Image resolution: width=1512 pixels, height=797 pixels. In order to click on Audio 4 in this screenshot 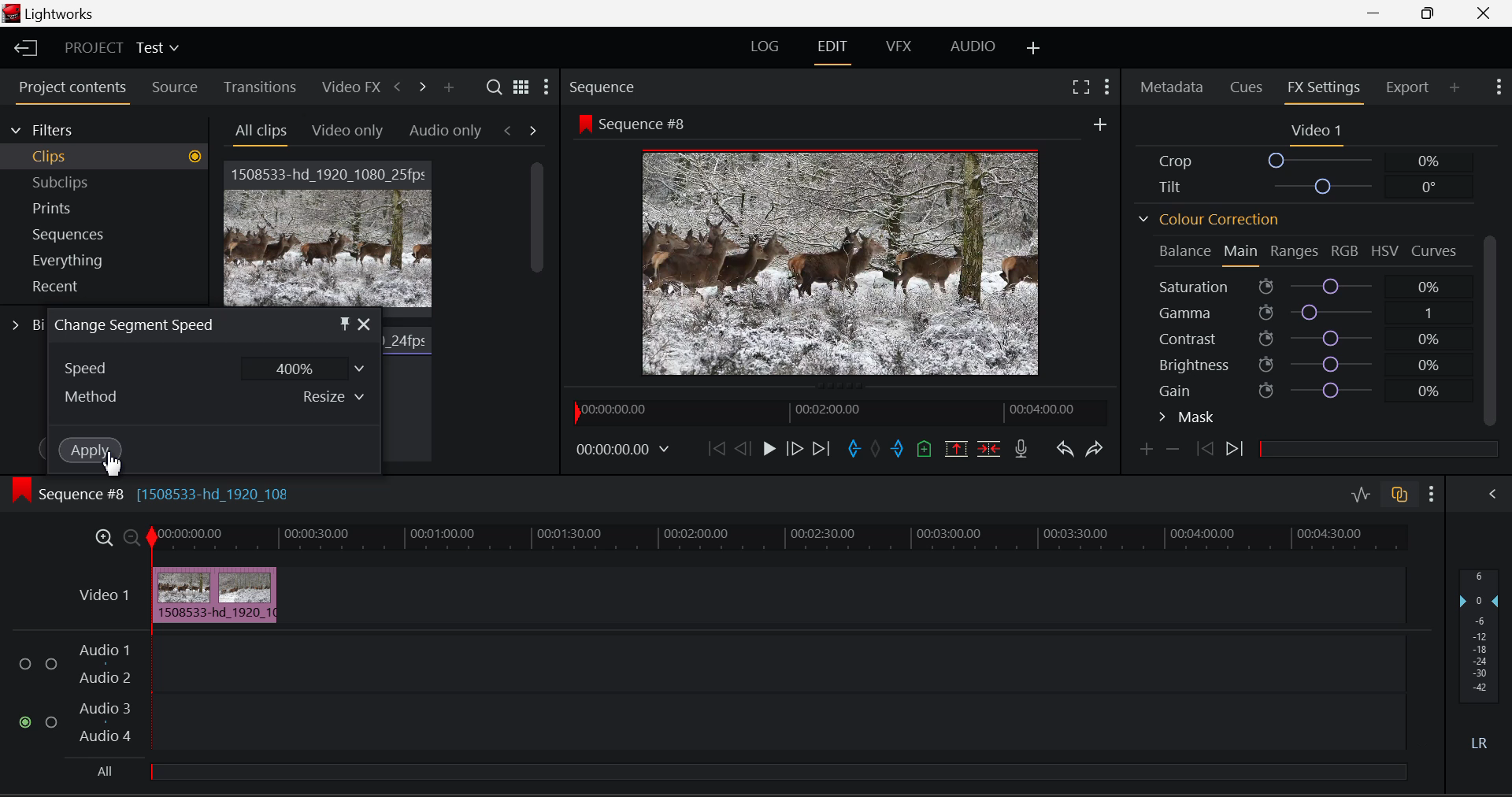, I will do `click(108, 737)`.